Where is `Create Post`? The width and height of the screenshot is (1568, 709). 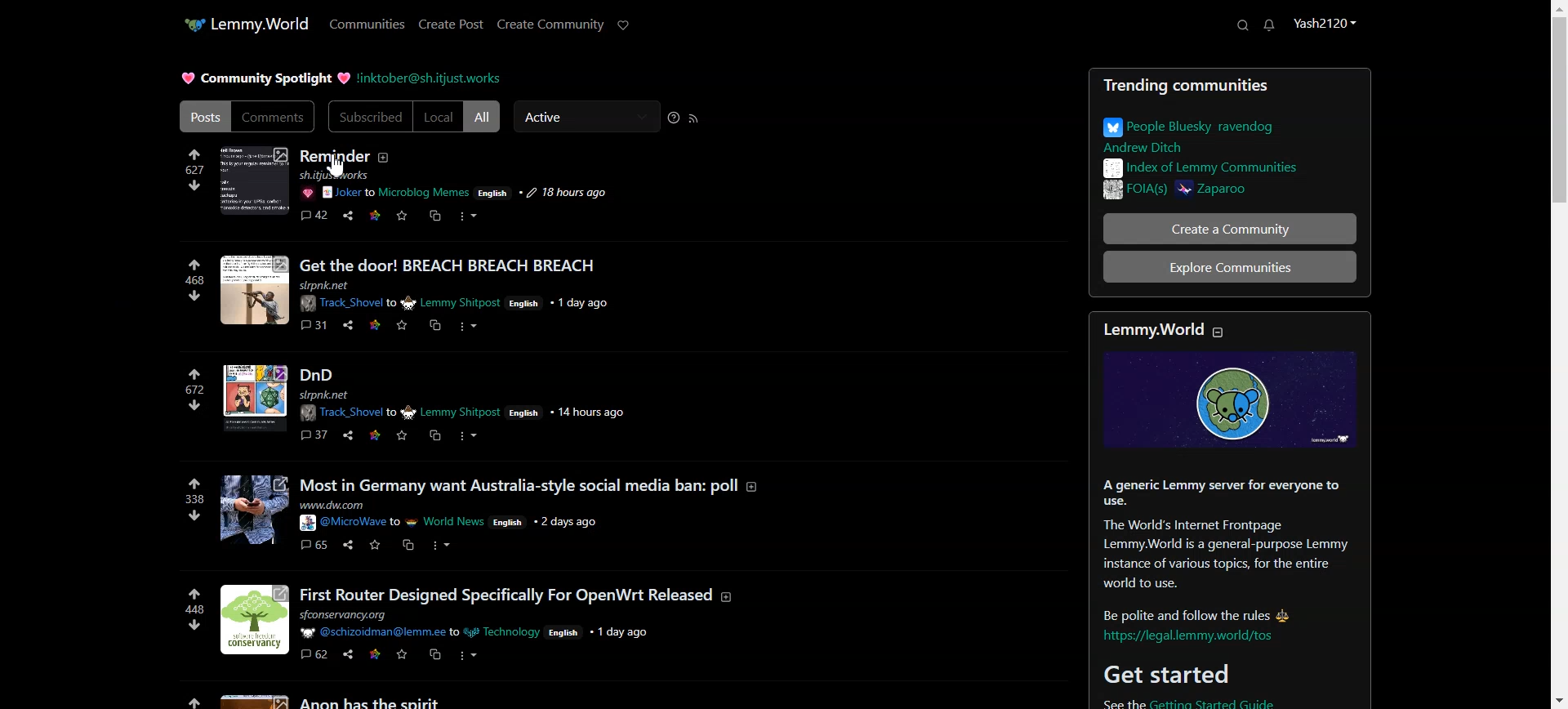 Create Post is located at coordinates (450, 24).